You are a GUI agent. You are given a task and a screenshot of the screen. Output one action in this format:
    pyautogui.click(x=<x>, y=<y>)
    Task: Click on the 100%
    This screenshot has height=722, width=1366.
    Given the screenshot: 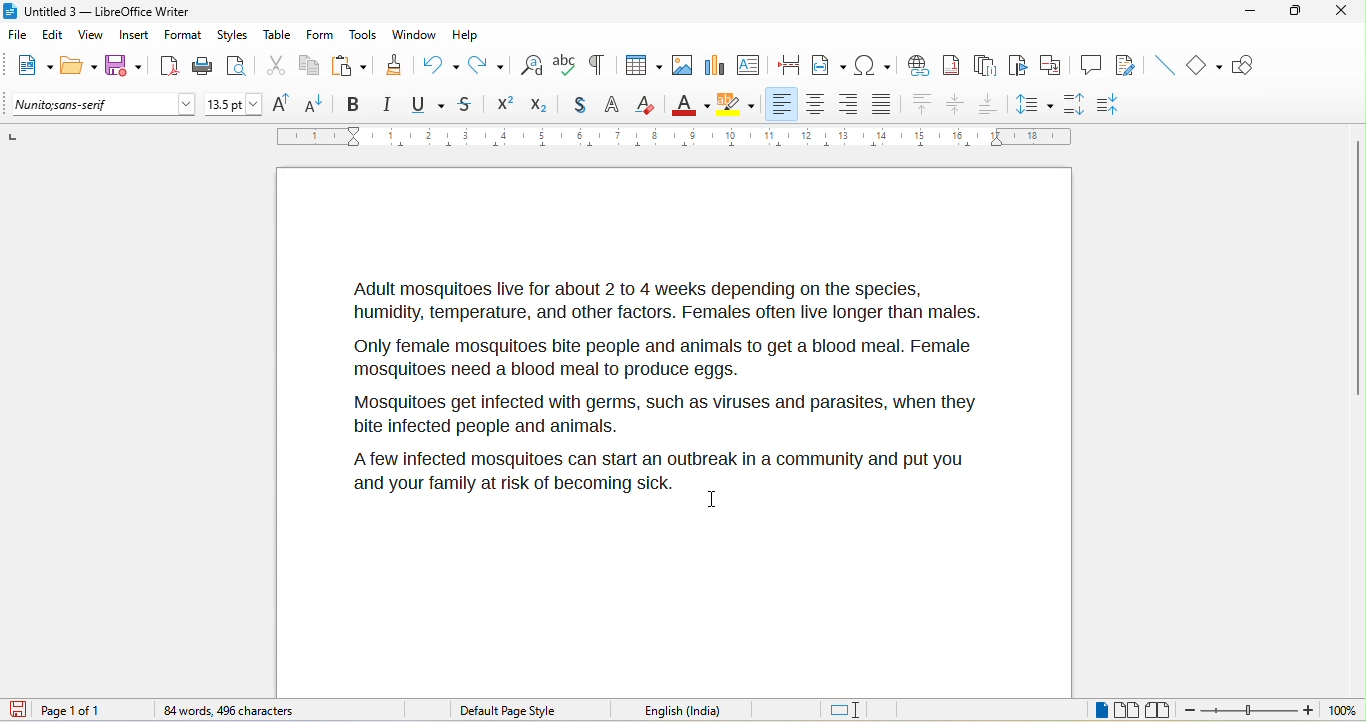 What is the action you would take?
    pyautogui.click(x=1342, y=711)
    